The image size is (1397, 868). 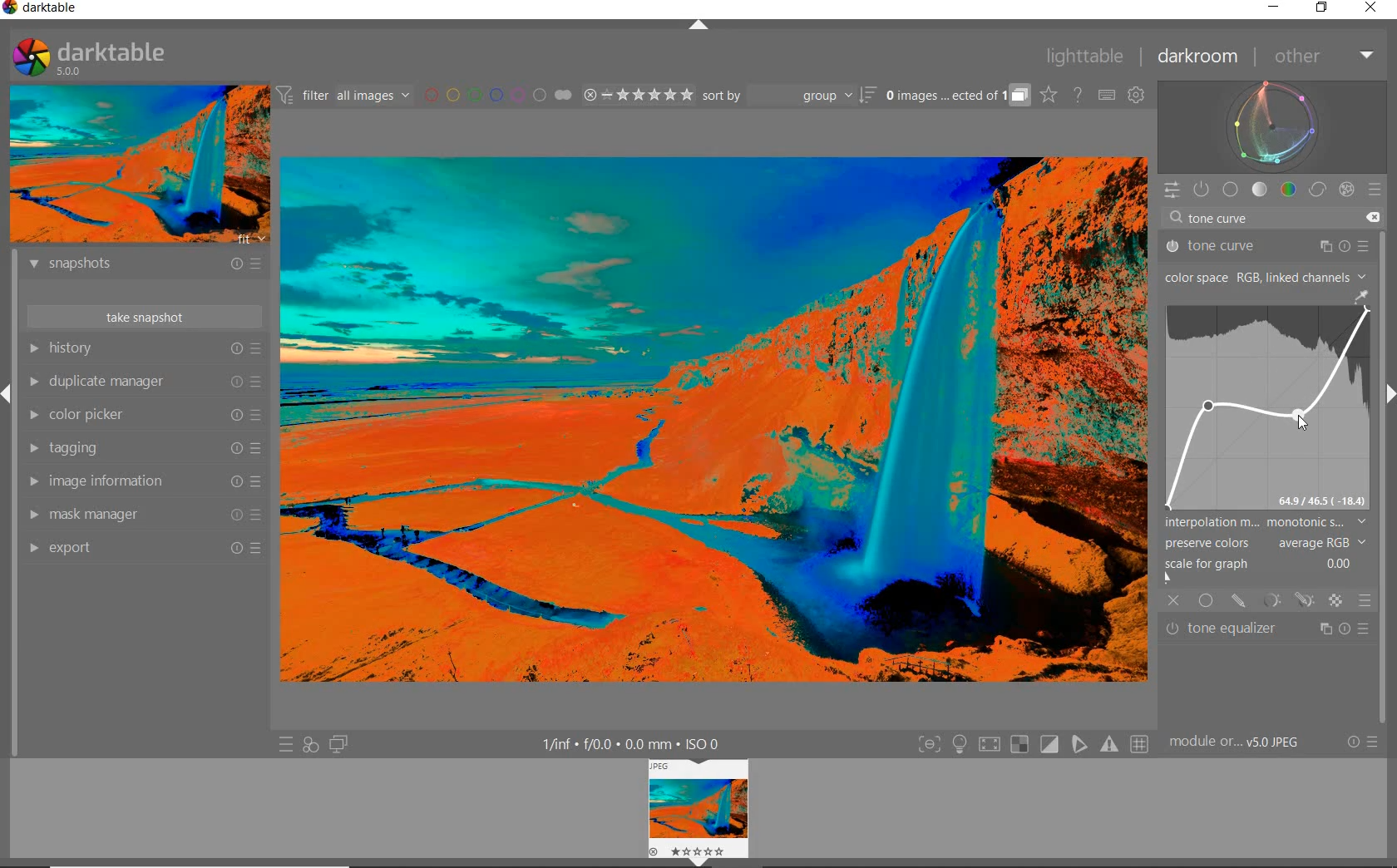 I want to click on waveform, so click(x=1273, y=126).